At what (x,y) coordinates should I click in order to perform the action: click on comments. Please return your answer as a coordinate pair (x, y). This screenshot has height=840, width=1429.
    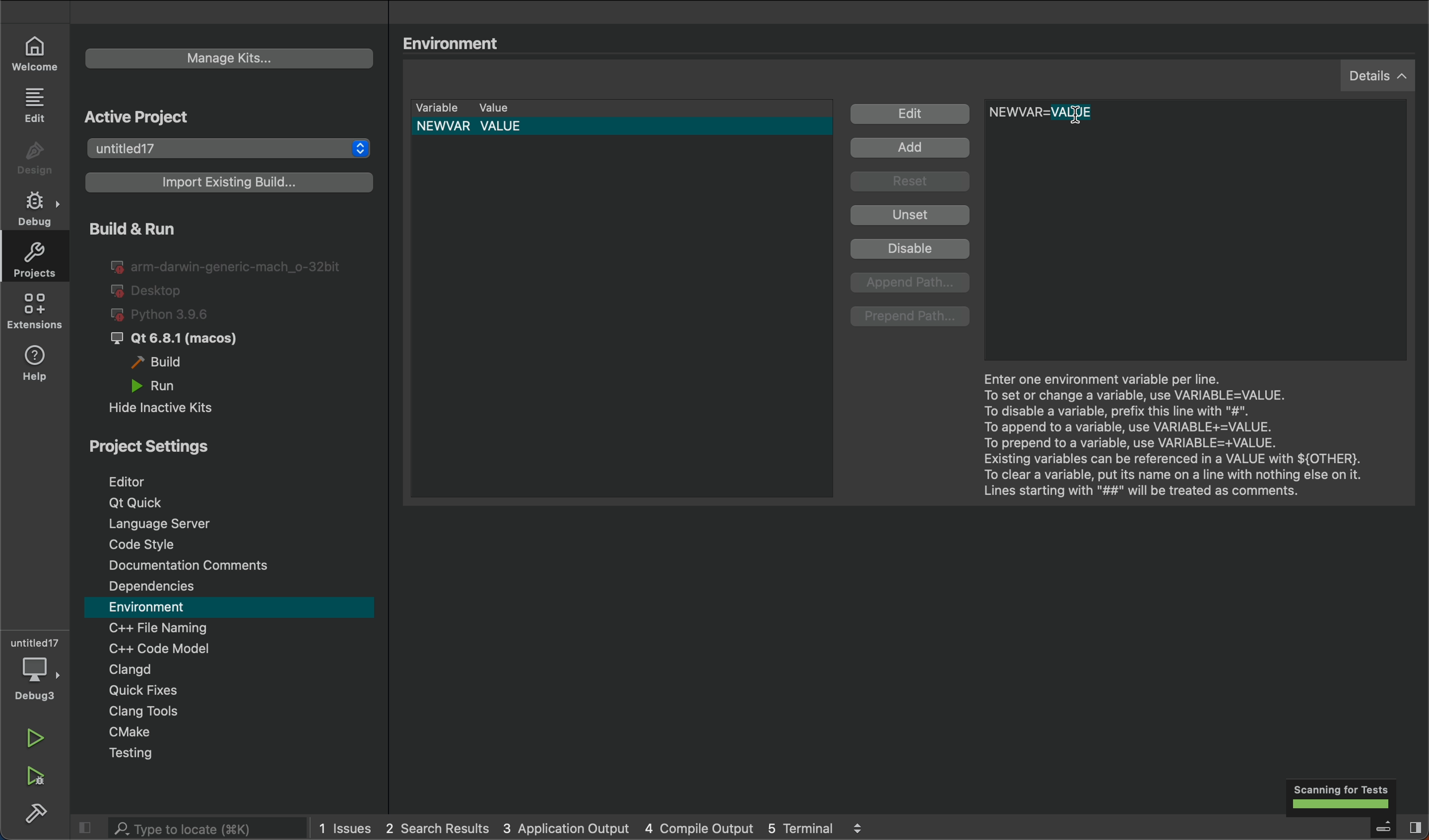
    Looking at the image, I should click on (231, 564).